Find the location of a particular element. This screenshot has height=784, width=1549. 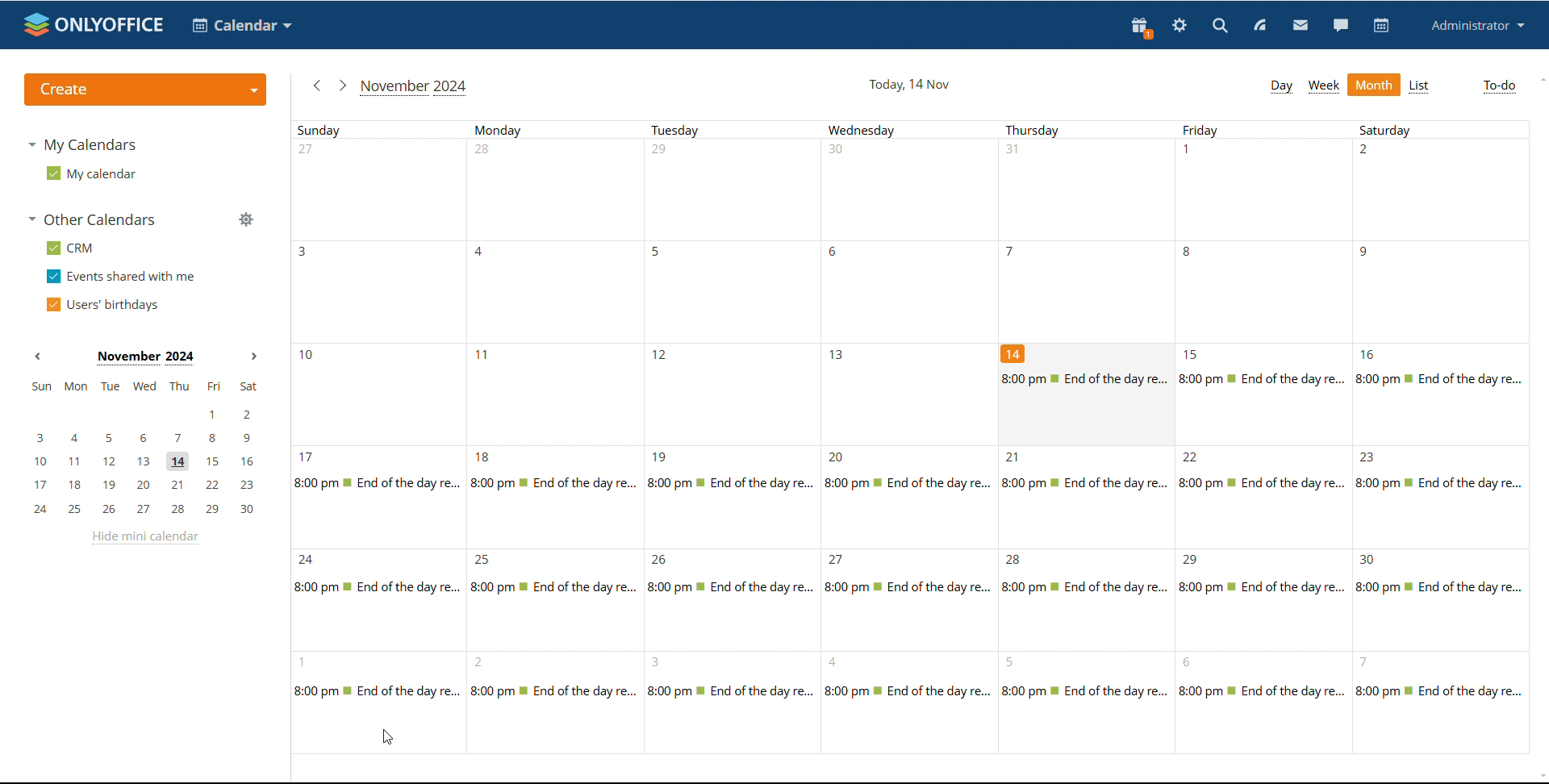

search is located at coordinates (1219, 27).